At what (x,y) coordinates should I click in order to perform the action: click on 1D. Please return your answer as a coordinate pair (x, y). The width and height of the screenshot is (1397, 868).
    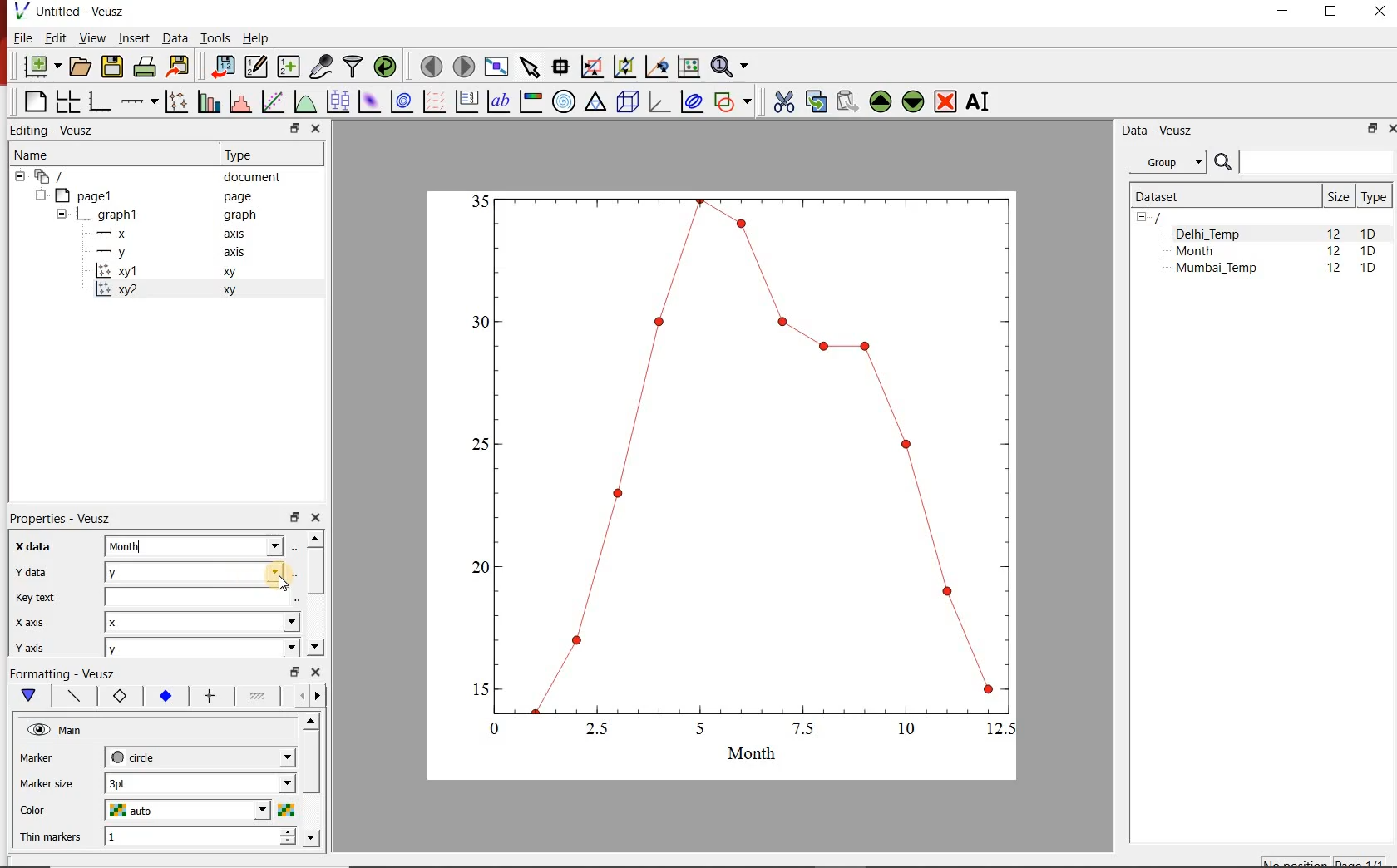
    Looking at the image, I should click on (1368, 252).